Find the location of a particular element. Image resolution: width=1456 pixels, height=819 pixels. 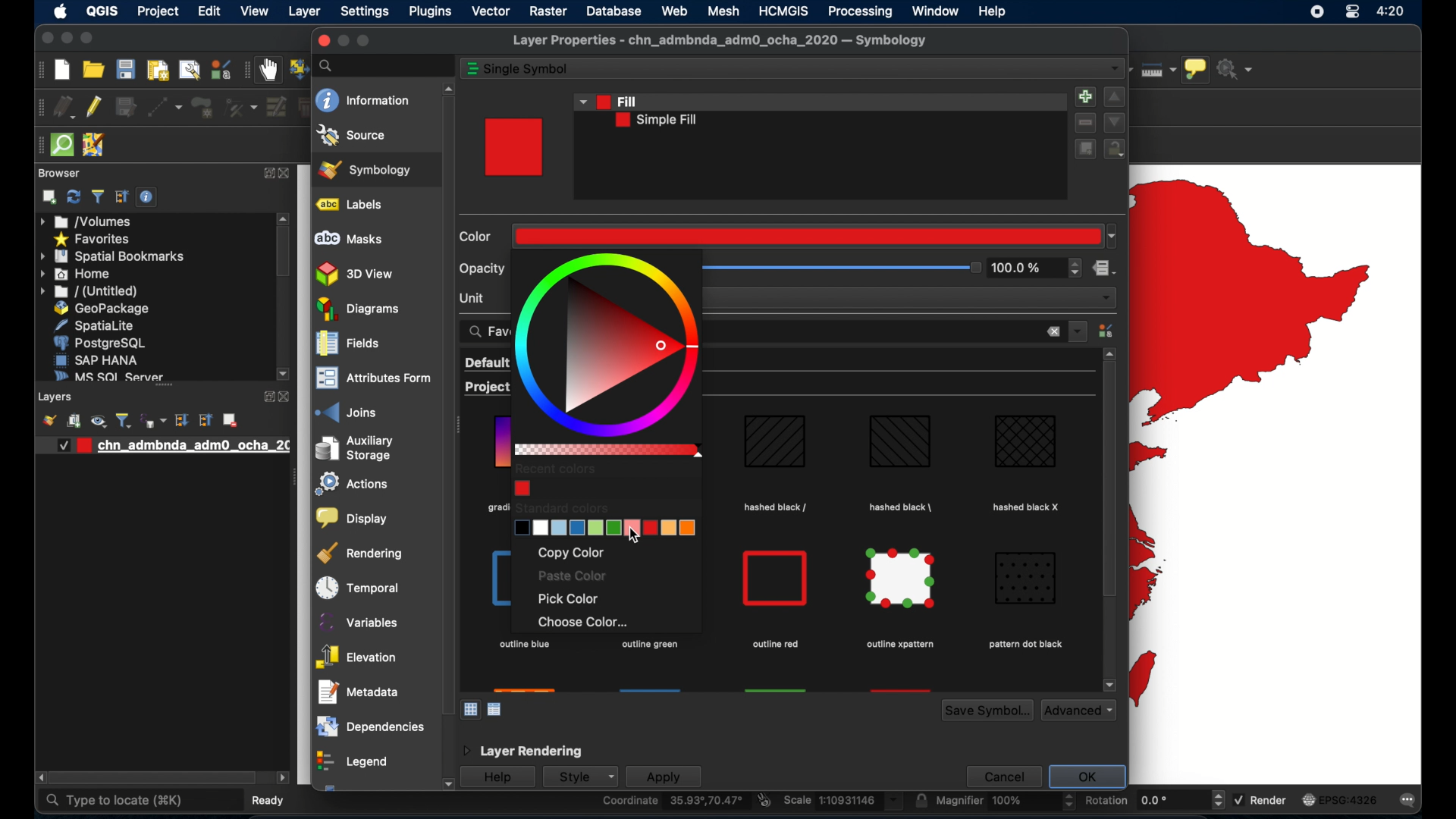

Gradient preview  is located at coordinates (1027, 578).